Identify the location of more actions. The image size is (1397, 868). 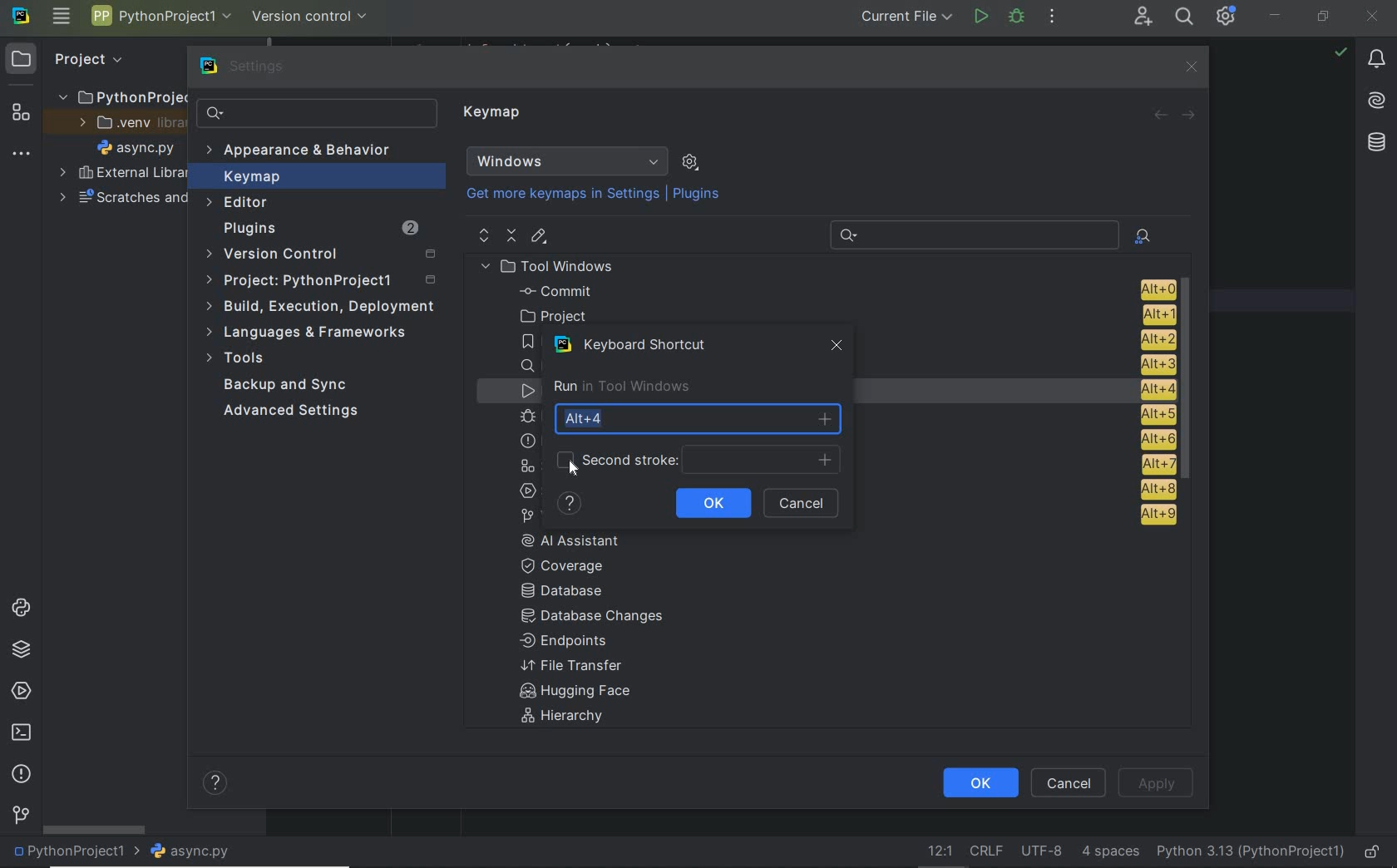
(1052, 17).